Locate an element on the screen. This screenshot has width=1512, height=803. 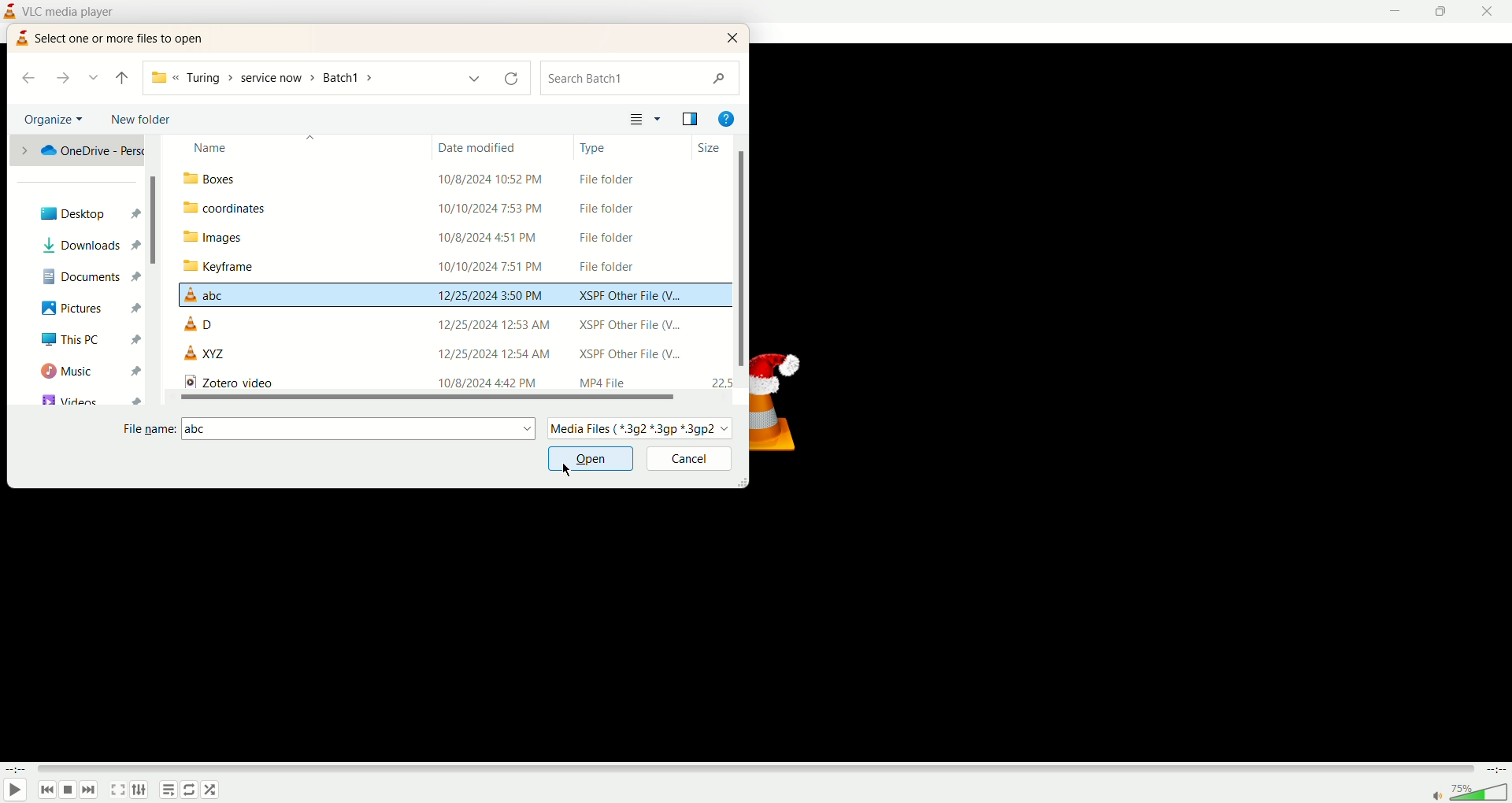
organize is located at coordinates (56, 119).